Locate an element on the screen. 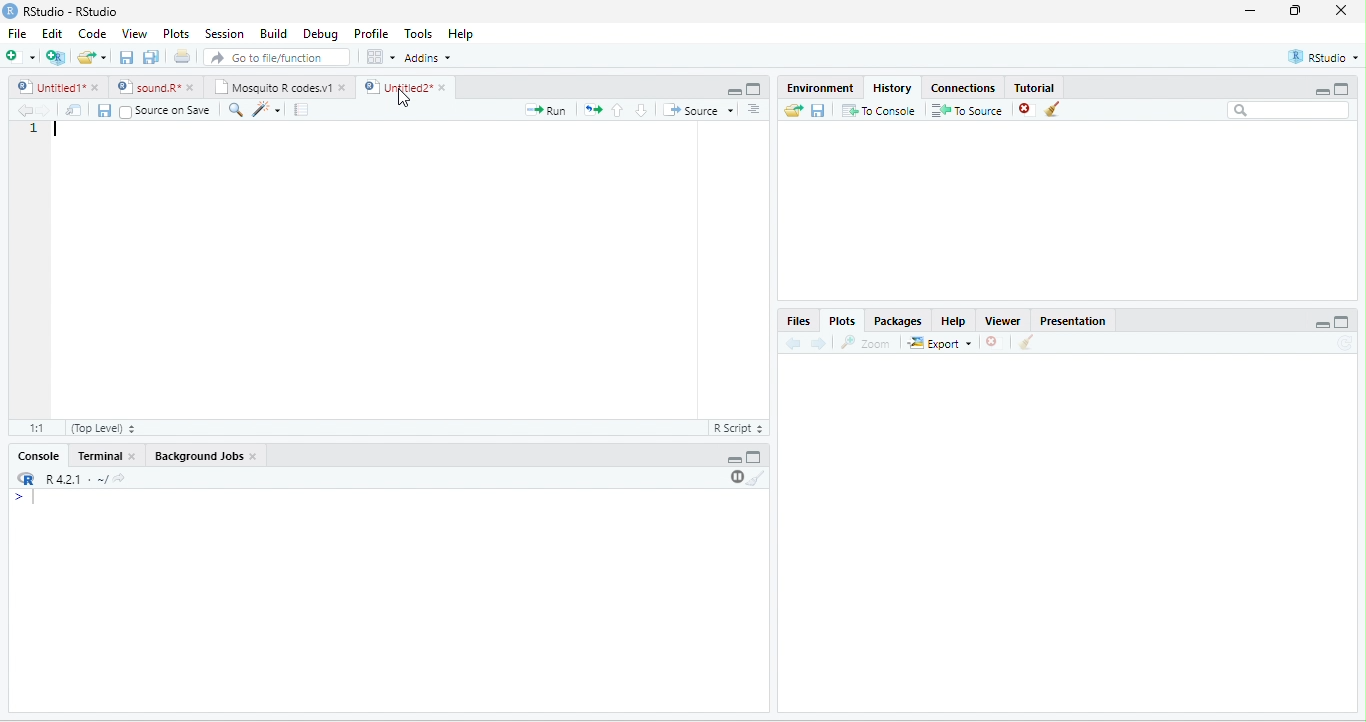 The height and width of the screenshot is (722, 1366). clear is located at coordinates (1052, 109).